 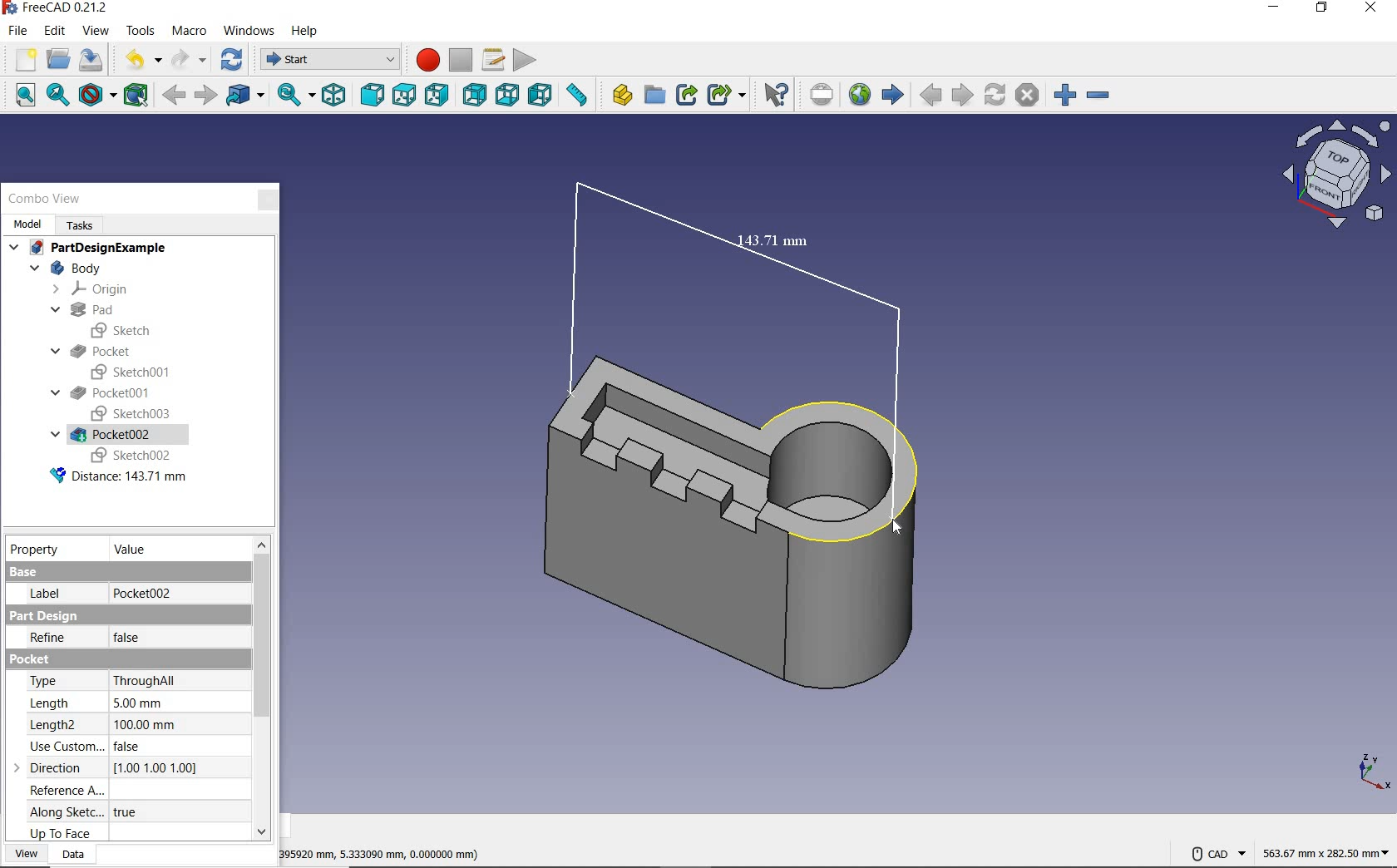 I want to click on (1.00 1.00 1.00), so click(x=159, y=769).